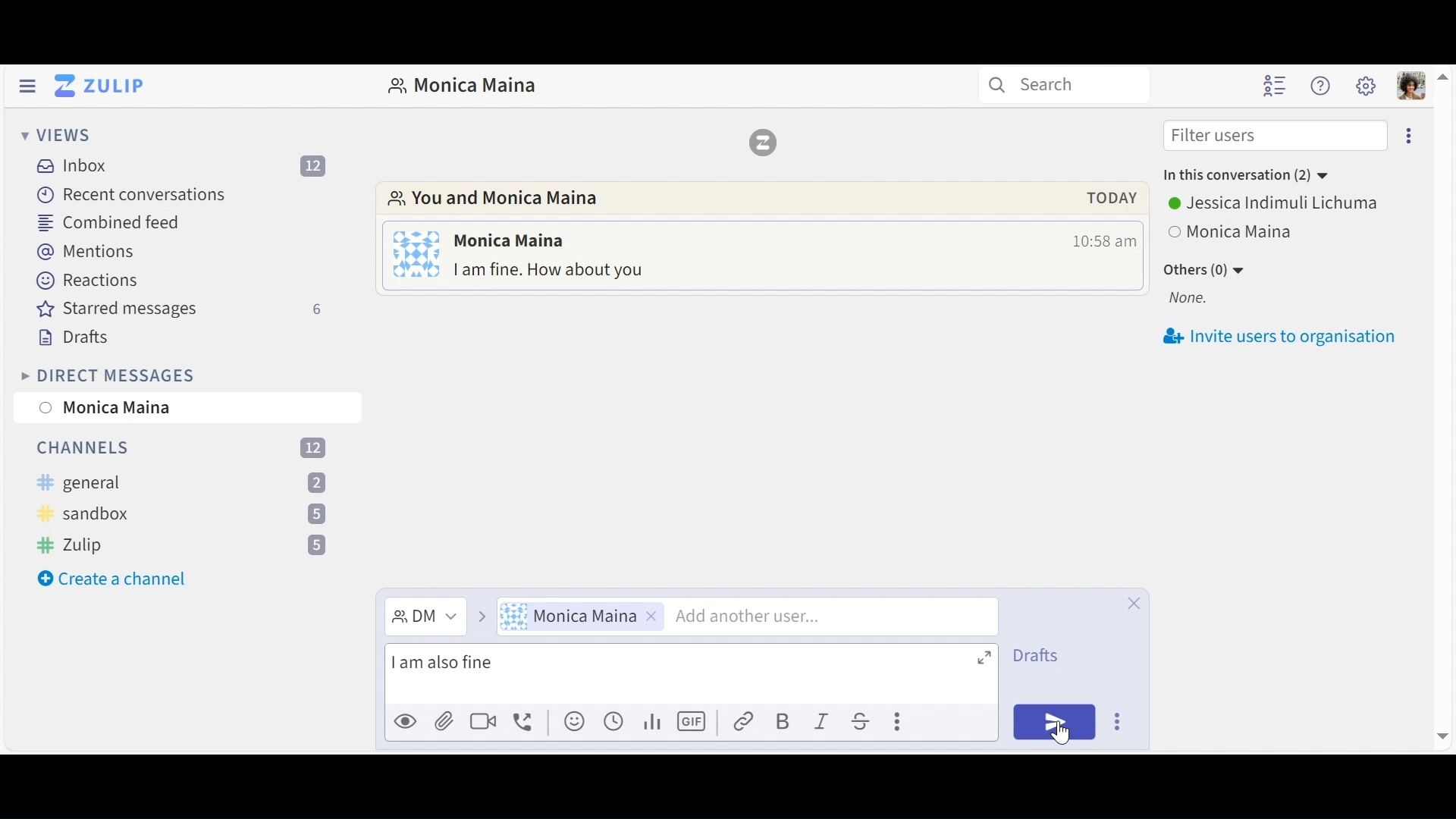  I want to click on move down, so click(1442, 736).